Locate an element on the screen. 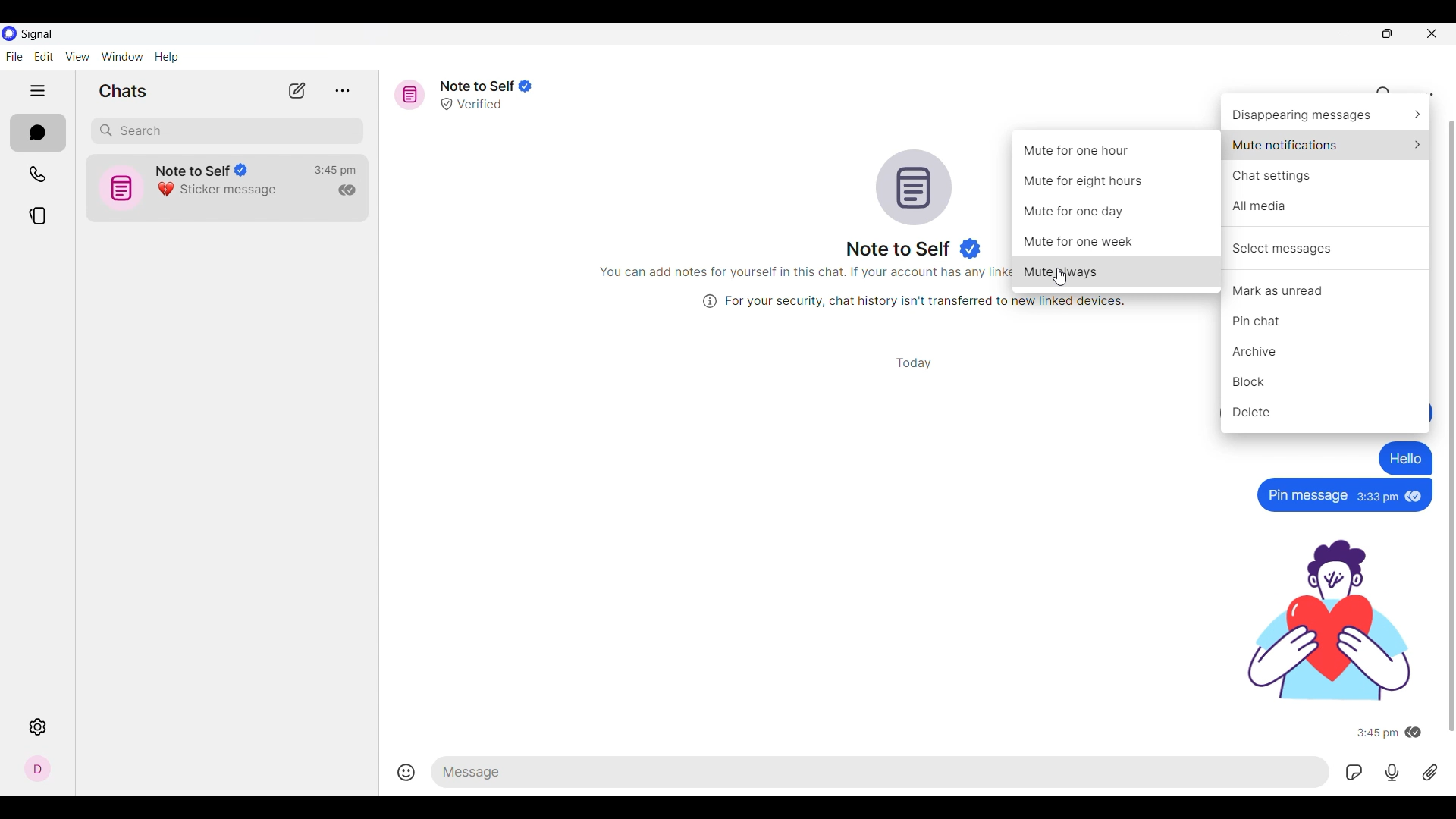  Search chat is located at coordinates (1385, 94).